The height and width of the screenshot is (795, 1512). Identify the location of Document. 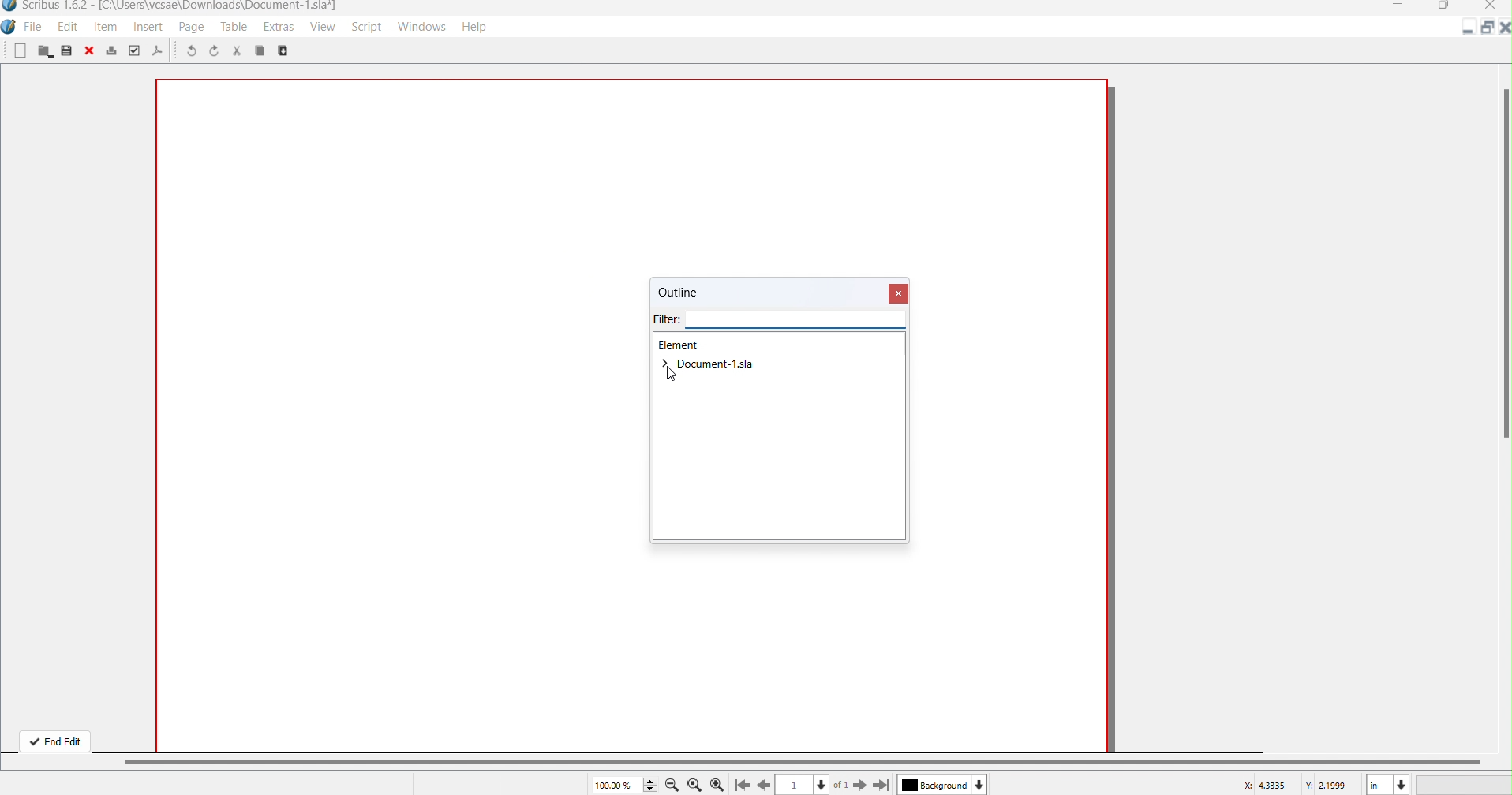
(709, 364).